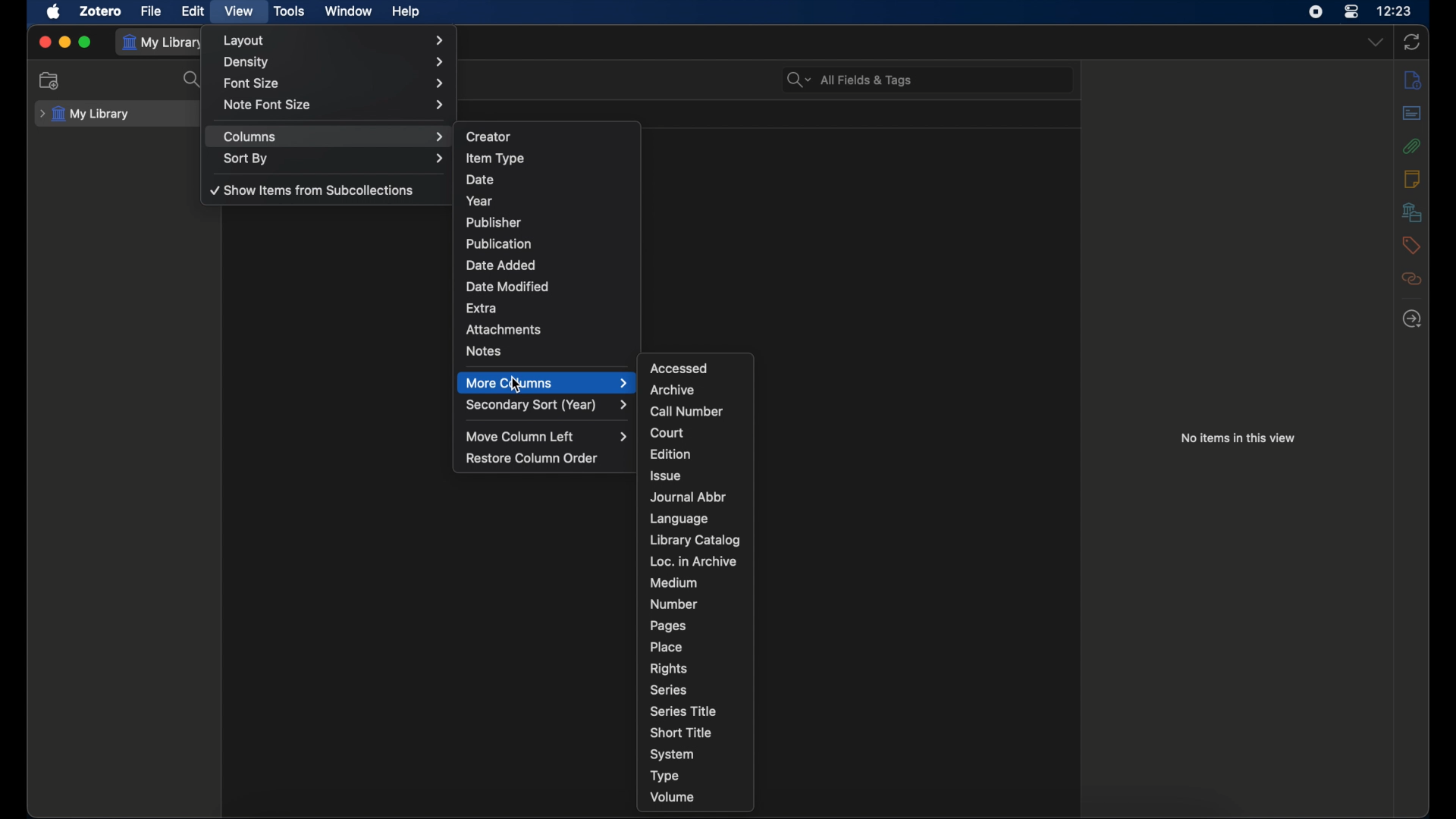 This screenshot has width=1456, height=819. Describe the element at coordinates (1395, 10) in the screenshot. I see `time` at that location.